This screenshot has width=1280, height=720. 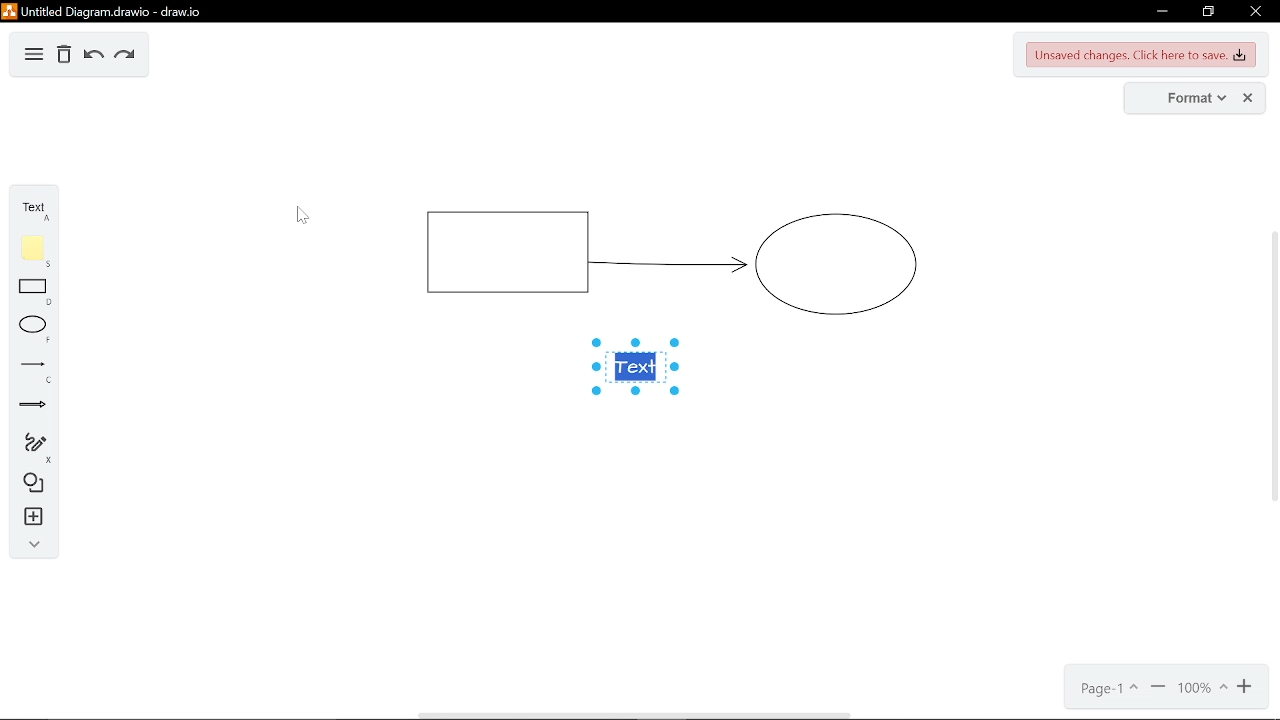 What do you see at coordinates (1110, 688) in the screenshot?
I see `page1` at bounding box center [1110, 688].